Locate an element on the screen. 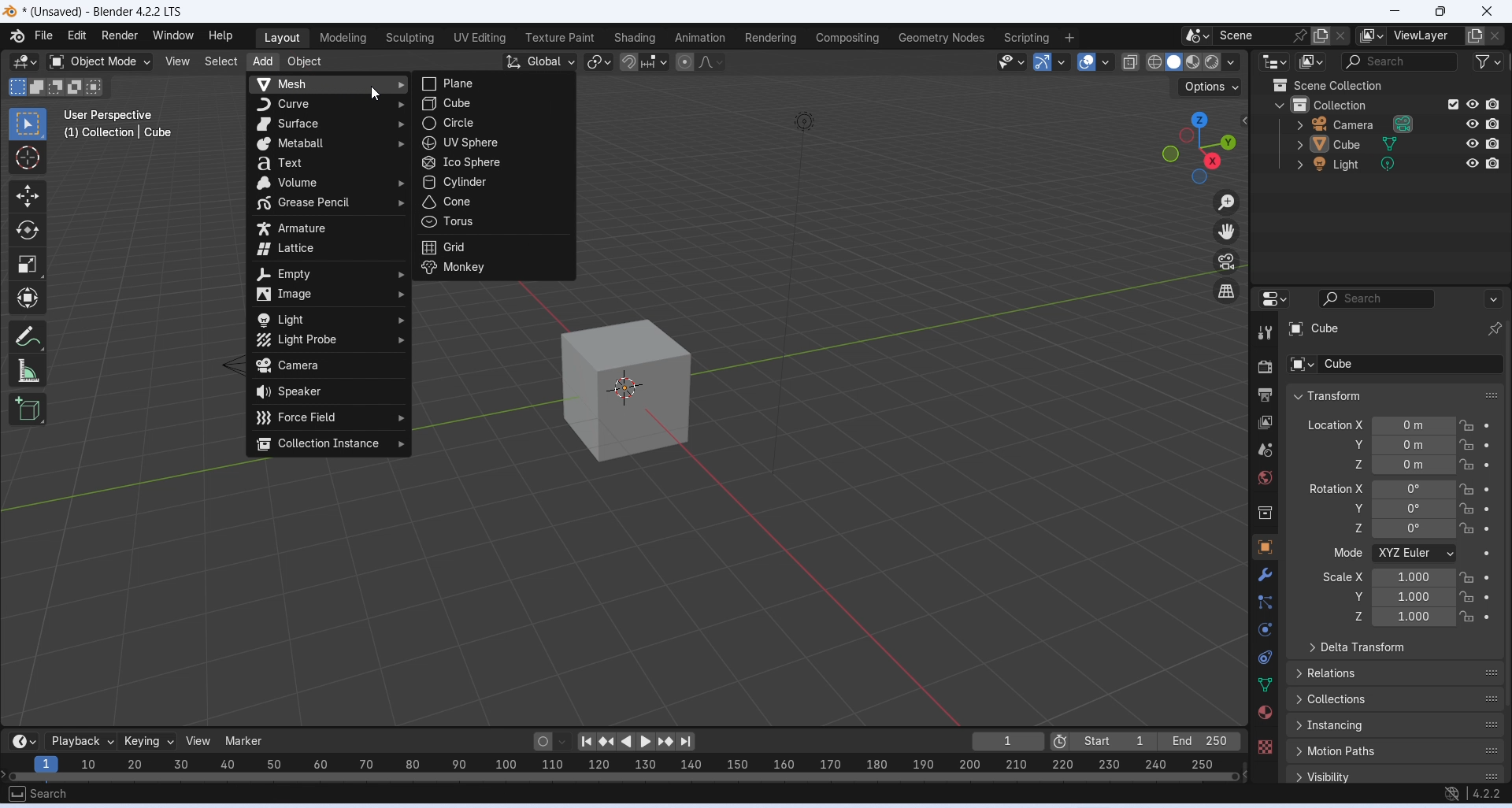 The image size is (1512, 808). circle is located at coordinates (495, 123).